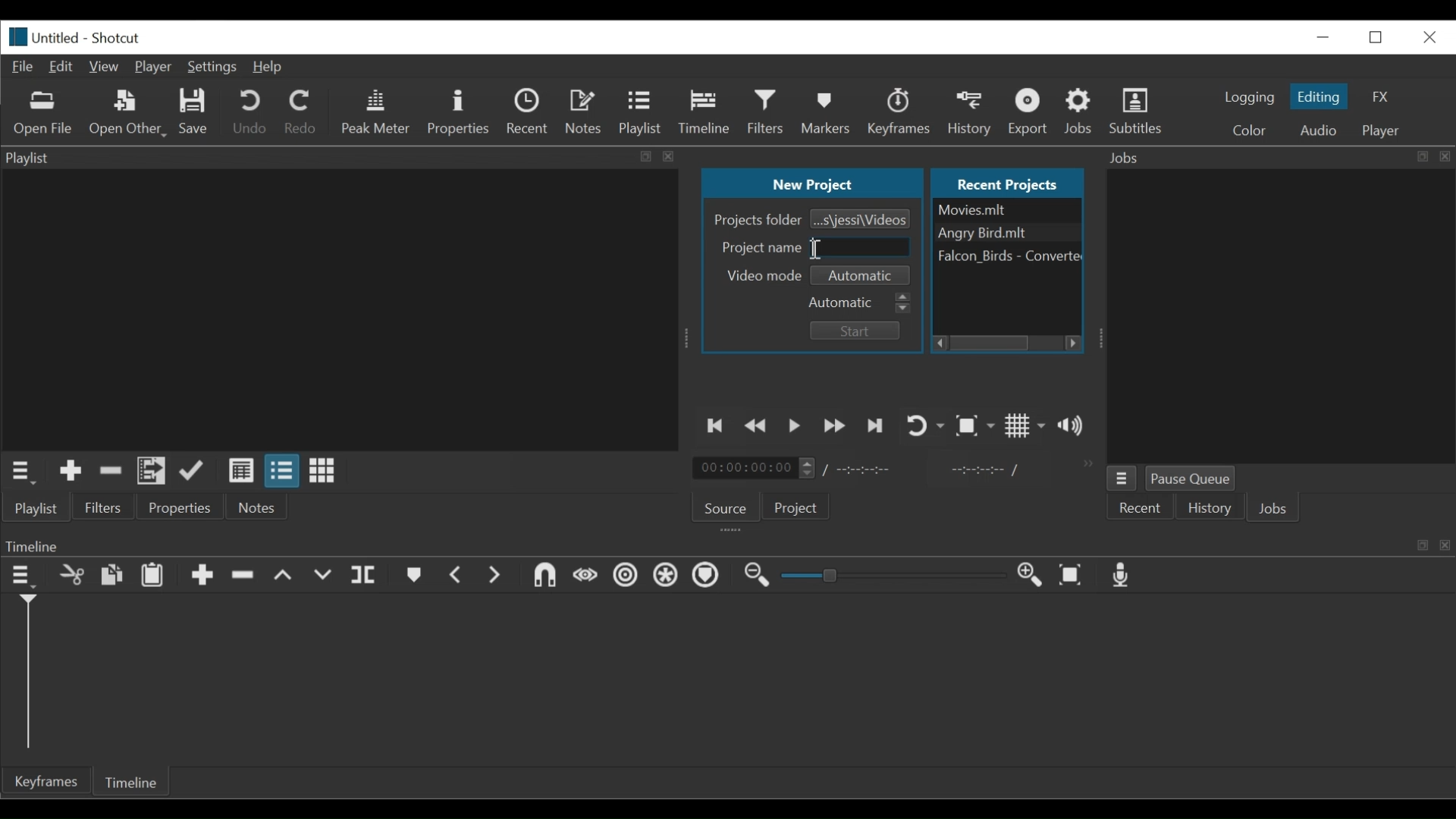  Describe the element at coordinates (756, 576) in the screenshot. I see `Zoom Timeline out` at that location.